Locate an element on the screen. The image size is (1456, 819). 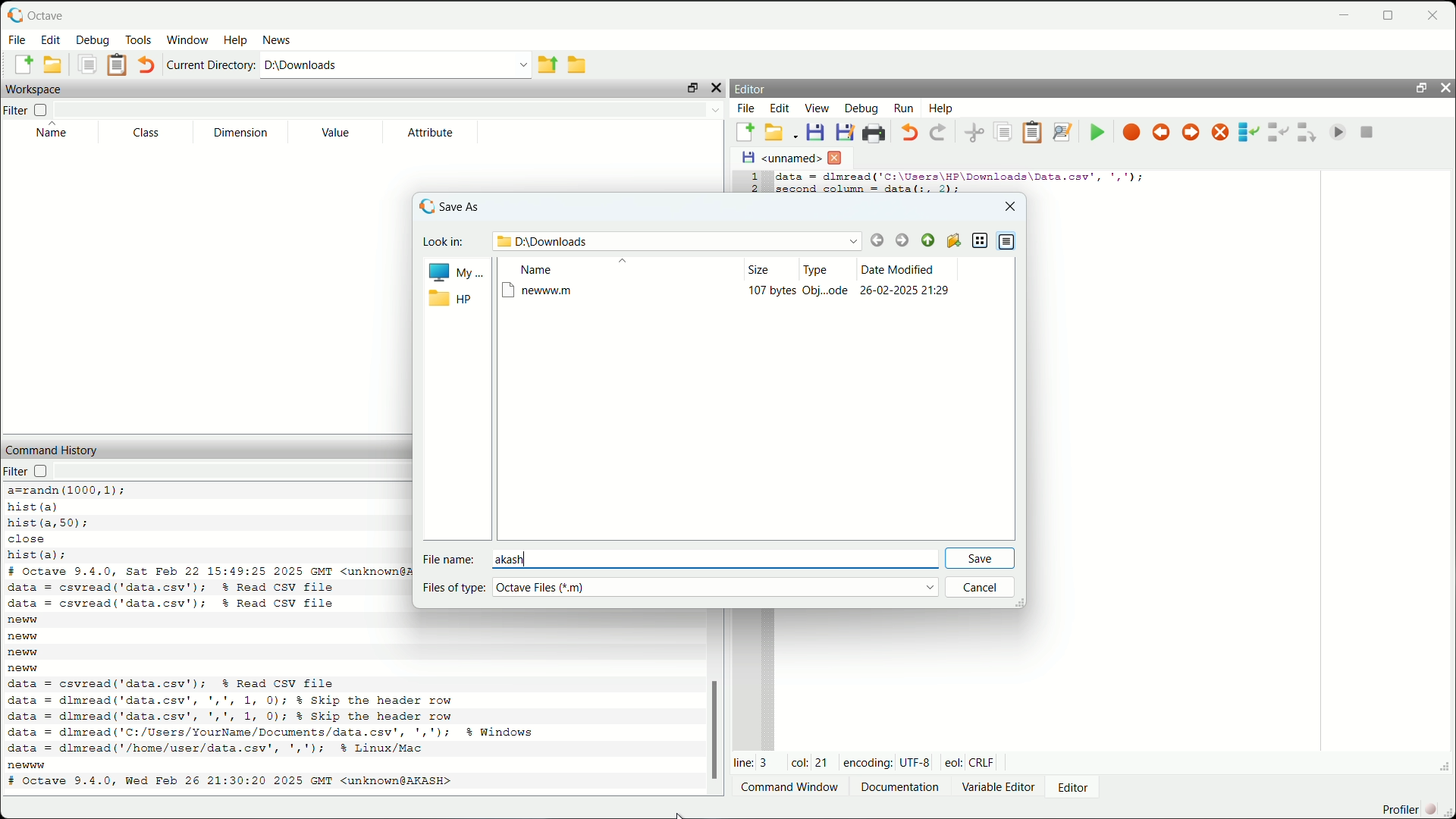
octave version and date is located at coordinates (205, 570).